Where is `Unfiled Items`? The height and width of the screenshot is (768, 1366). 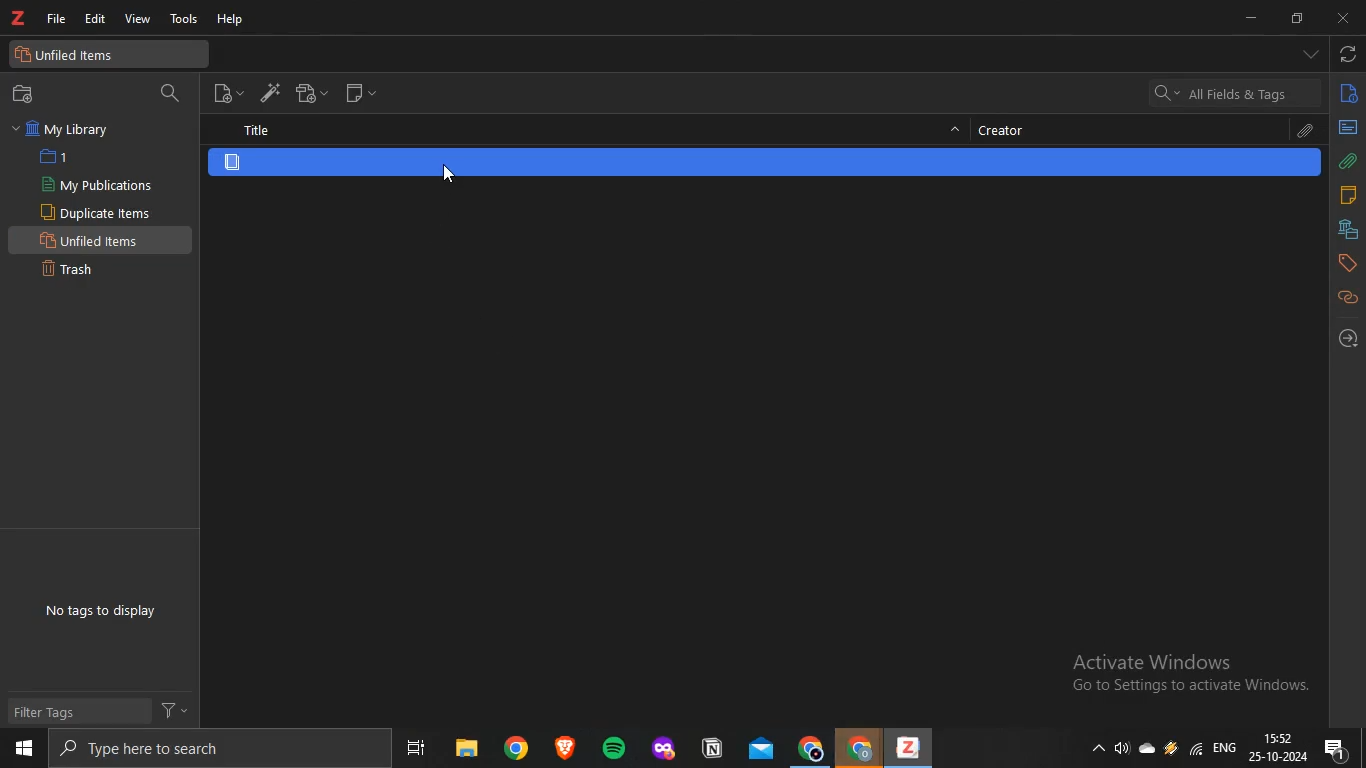 Unfiled Items is located at coordinates (94, 239).